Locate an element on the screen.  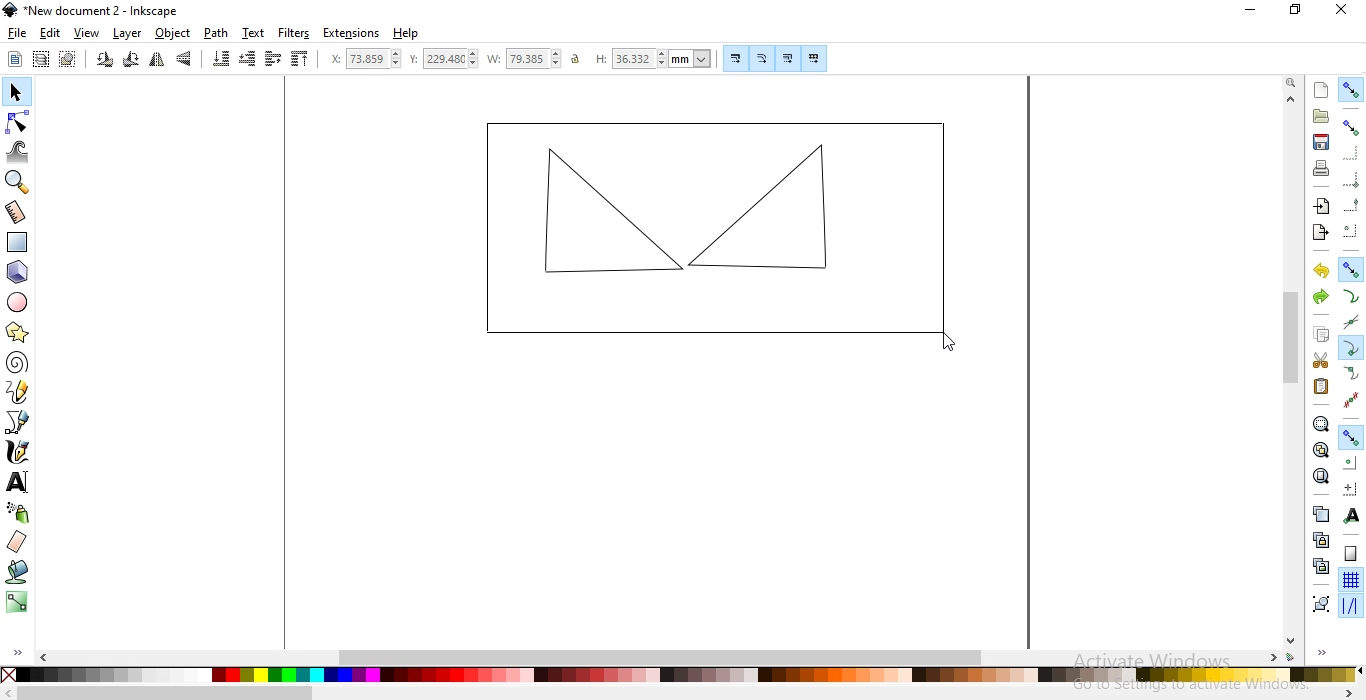
snap to path intersections is located at coordinates (1350, 319).